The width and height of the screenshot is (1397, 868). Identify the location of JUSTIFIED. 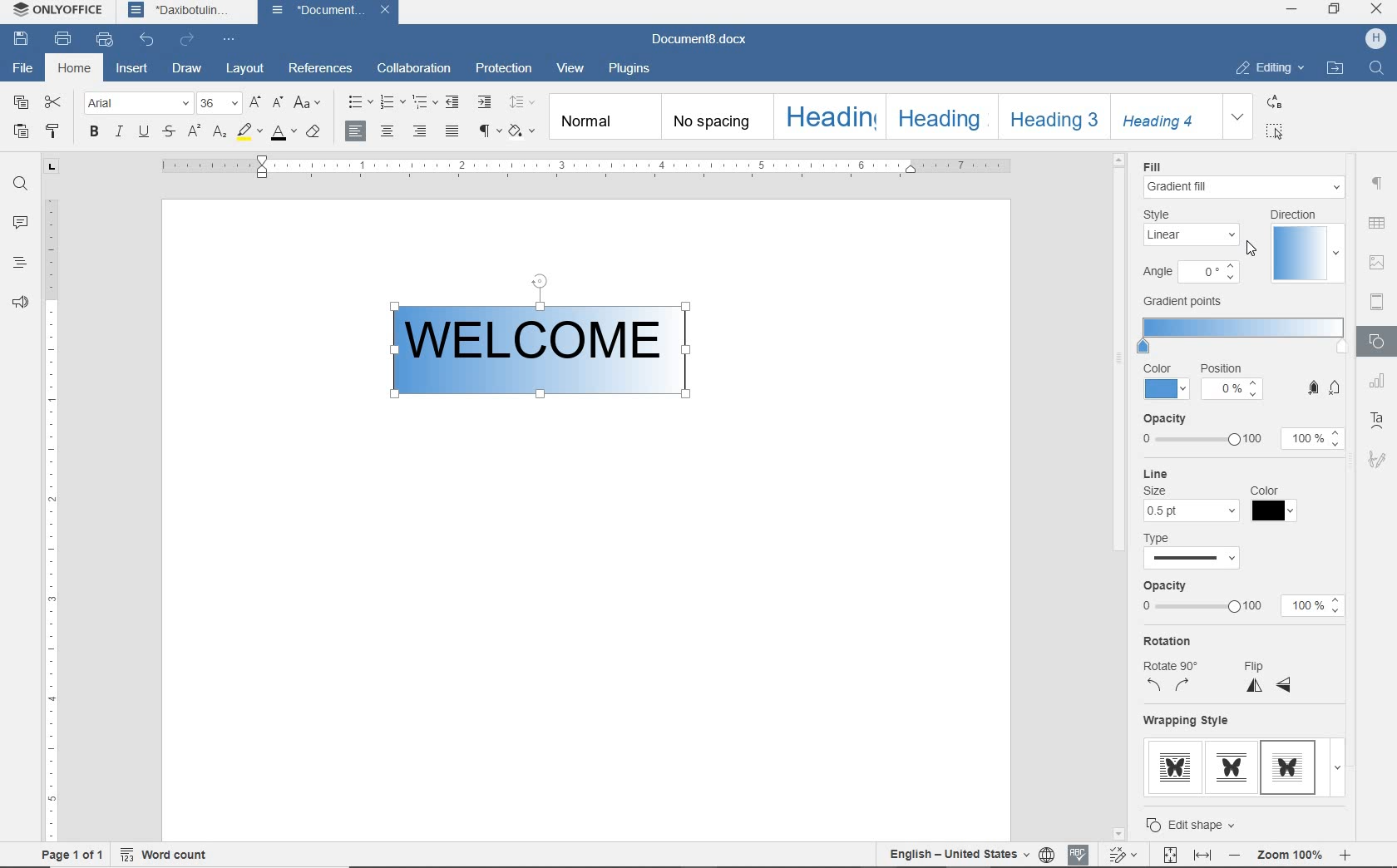
(452, 132).